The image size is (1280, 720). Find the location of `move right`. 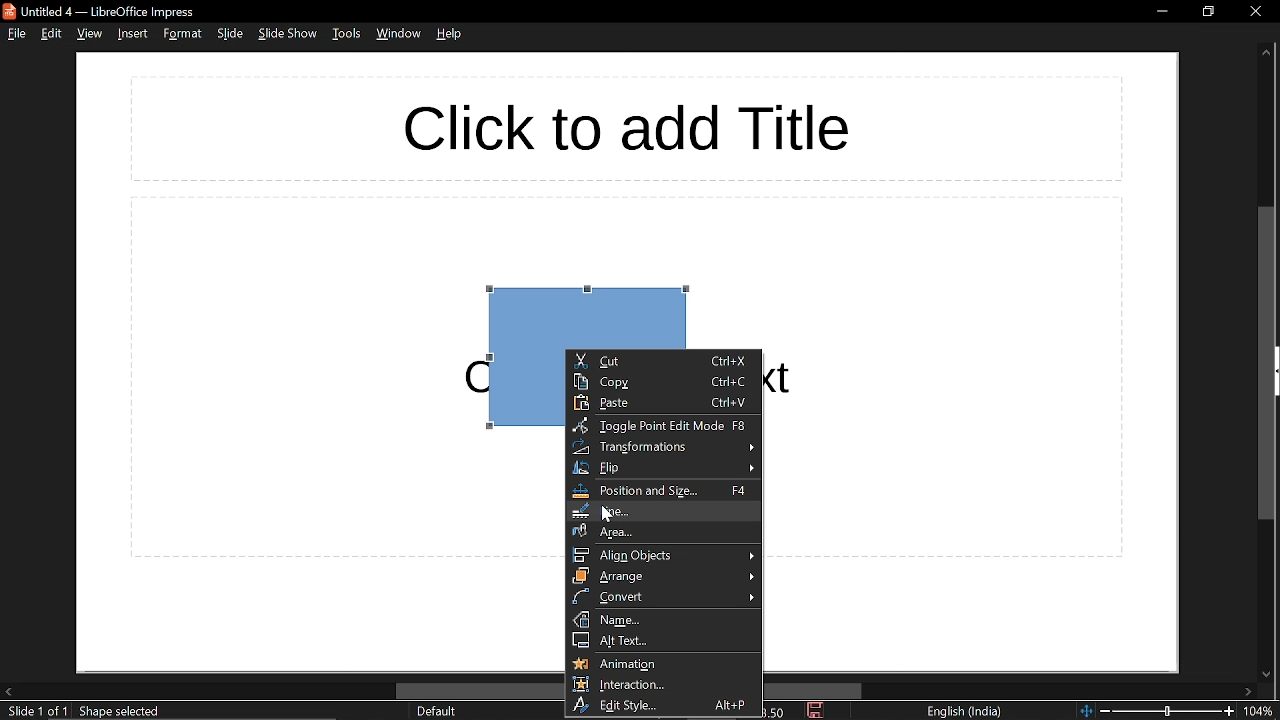

move right is located at coordinates (1253, 690).